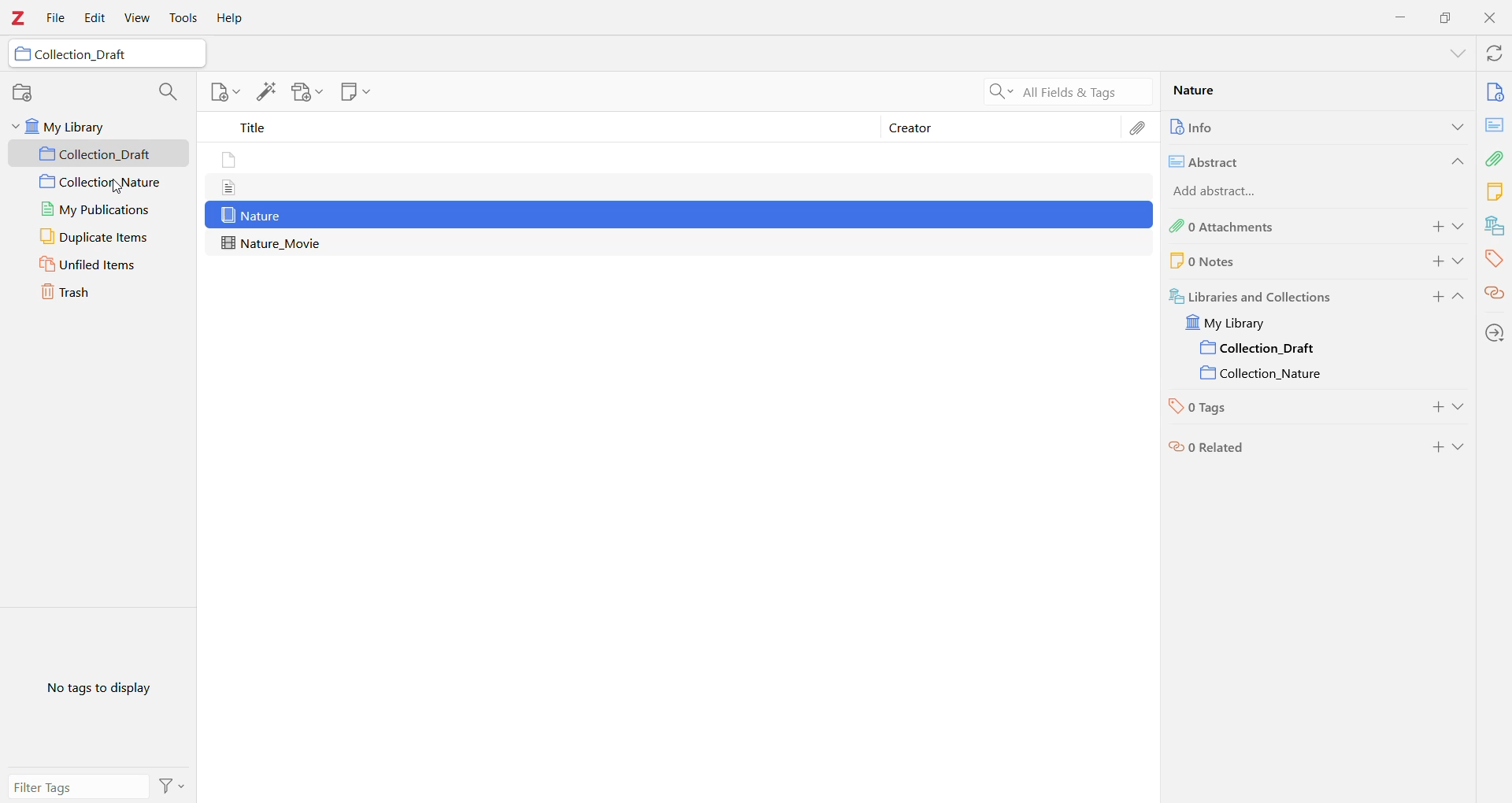  Describe the element at coordinates (680, 215) in the screenshot. I see `Nature` at that location.